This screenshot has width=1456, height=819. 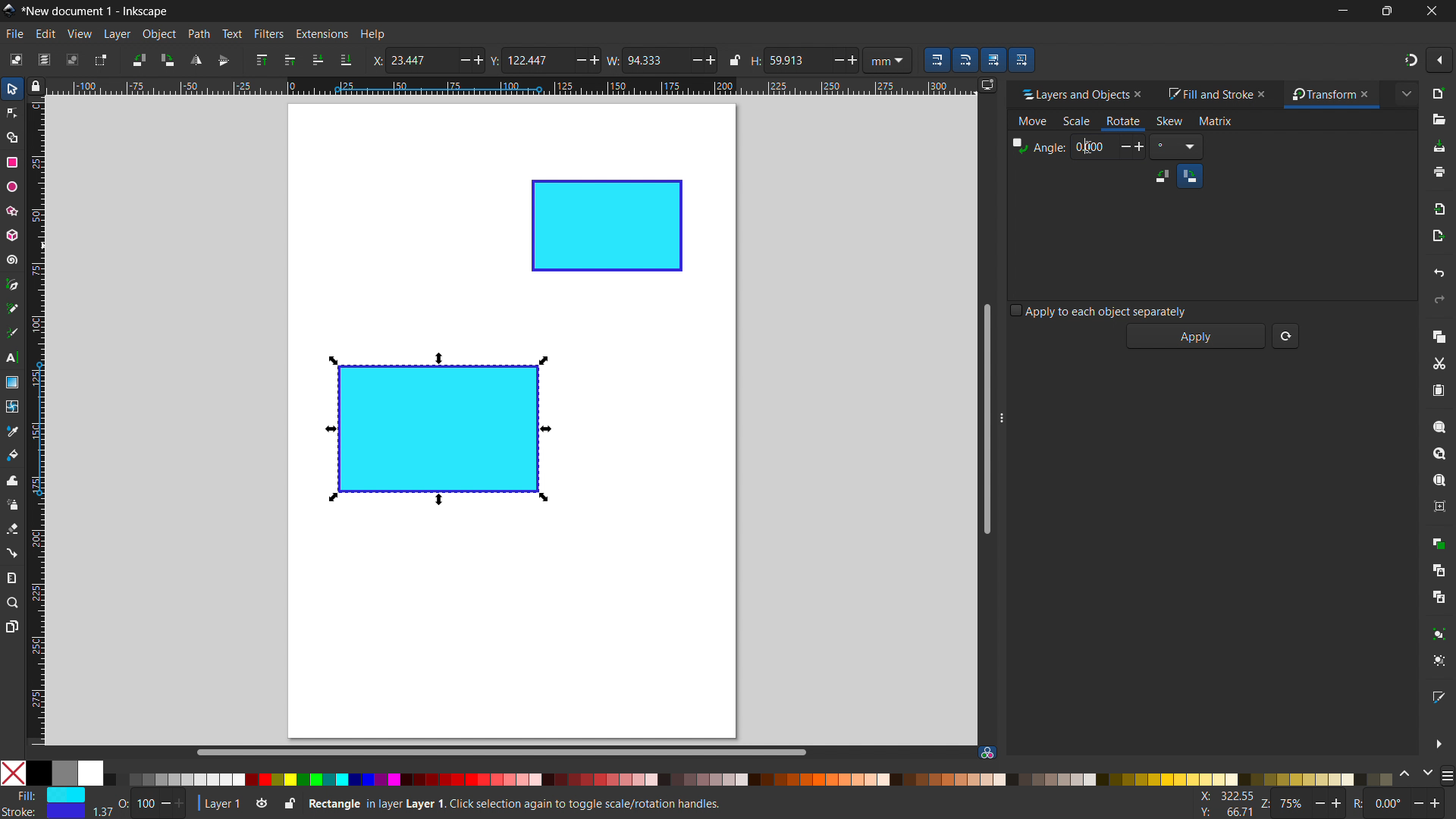 What do you see at coordinates (153, 802) in the screenshot?
I see `O: 100` at bounding box center [153, 802].